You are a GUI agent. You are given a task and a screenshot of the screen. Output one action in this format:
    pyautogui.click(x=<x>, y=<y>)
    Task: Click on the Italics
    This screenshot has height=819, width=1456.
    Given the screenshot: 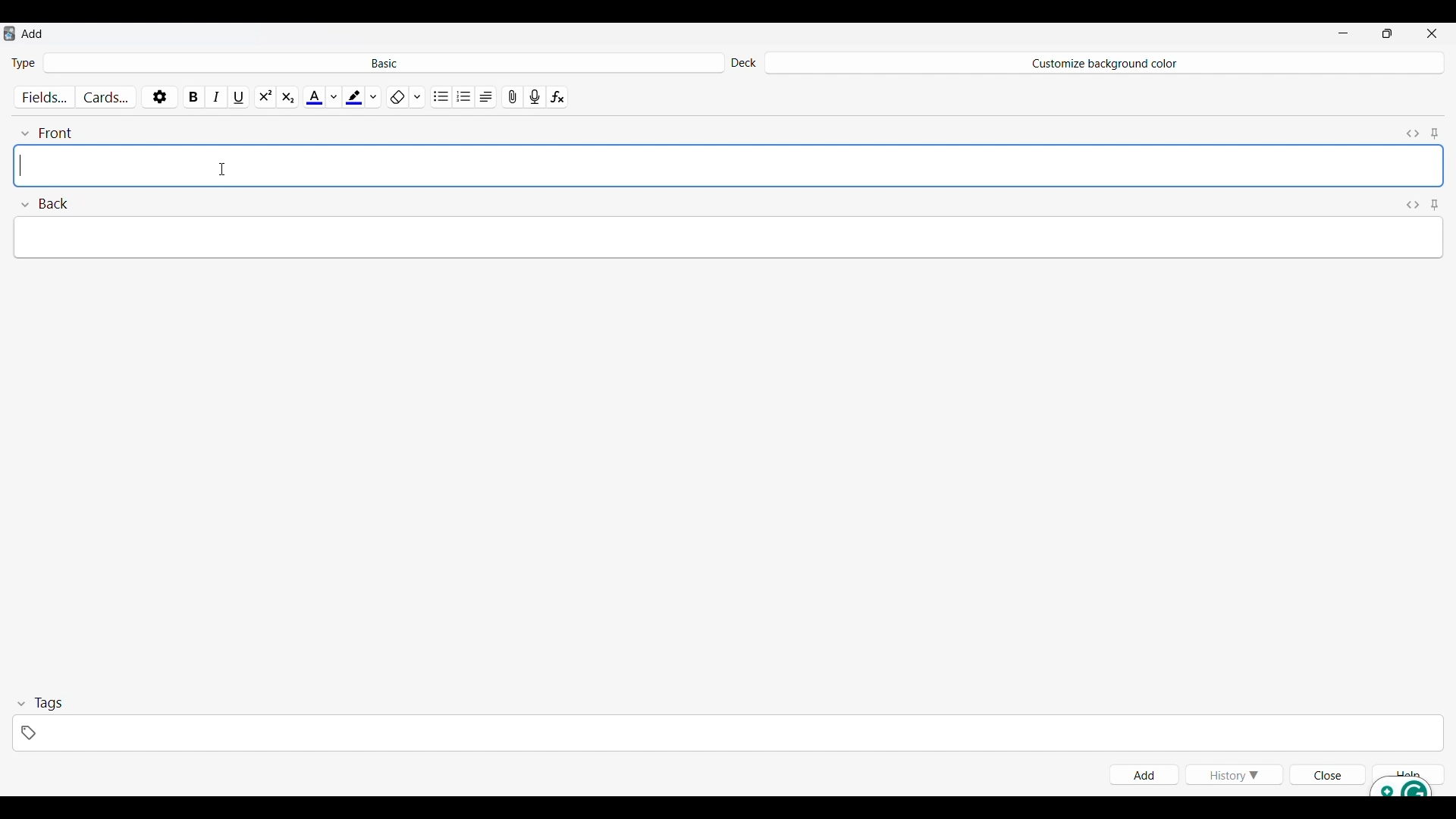 What is the action you would take?
    pyautogui.click(x=217, y=95)
    